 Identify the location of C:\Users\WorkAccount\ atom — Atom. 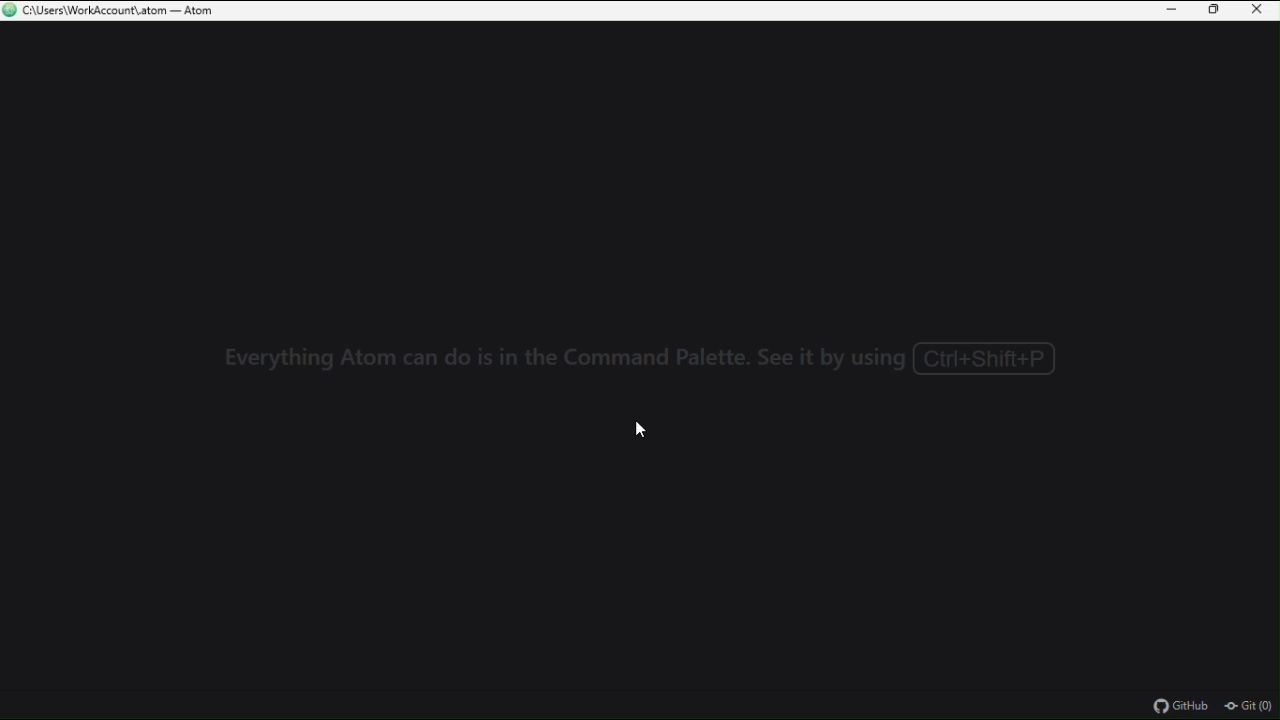
(121, 10).